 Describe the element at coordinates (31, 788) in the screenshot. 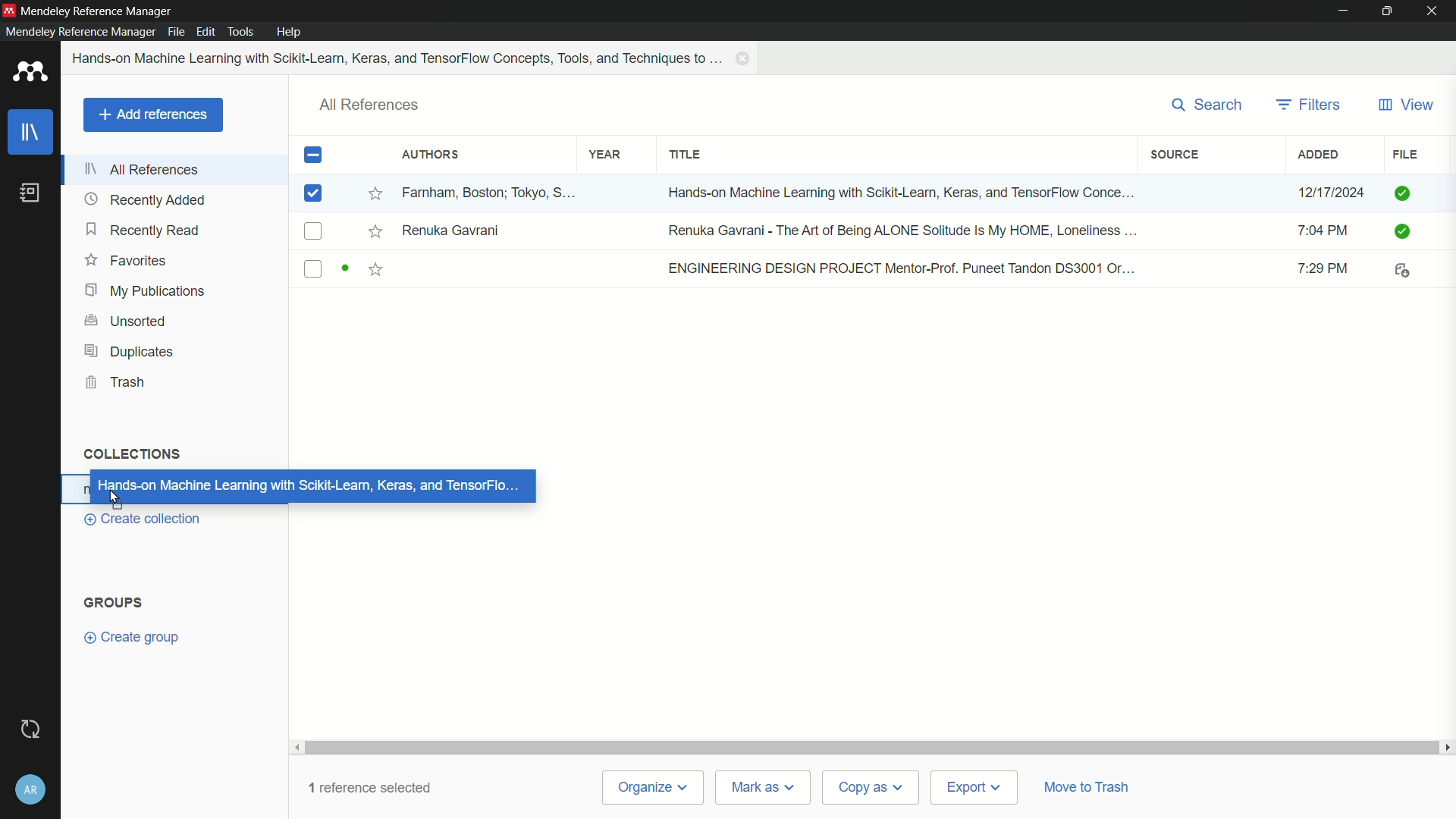

I see `account and settings` at that location.